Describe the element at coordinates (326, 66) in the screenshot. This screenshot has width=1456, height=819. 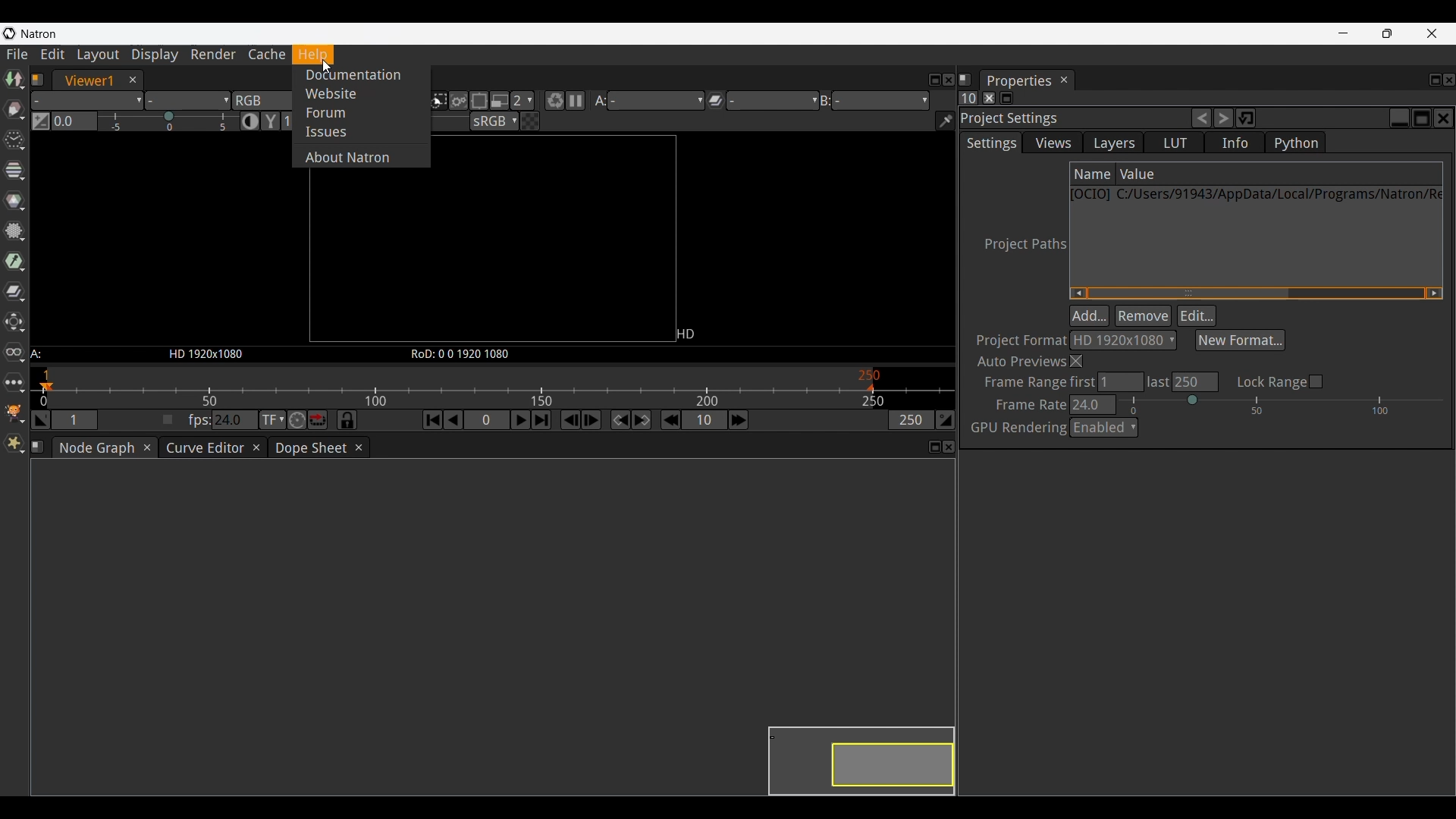
I see `Cursor position unchanged` at that location.